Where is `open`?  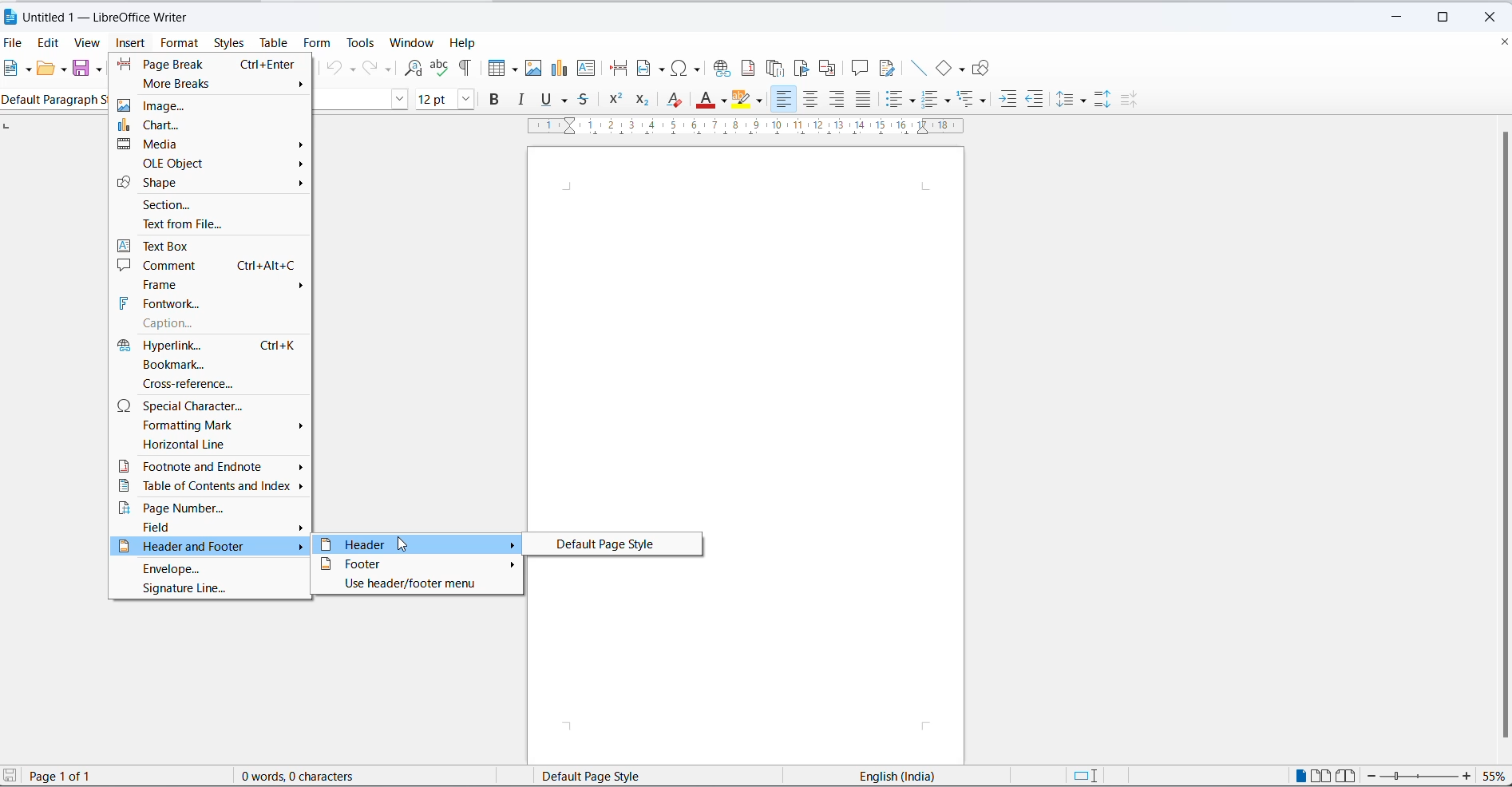 open is located at coordinates (45, 69).